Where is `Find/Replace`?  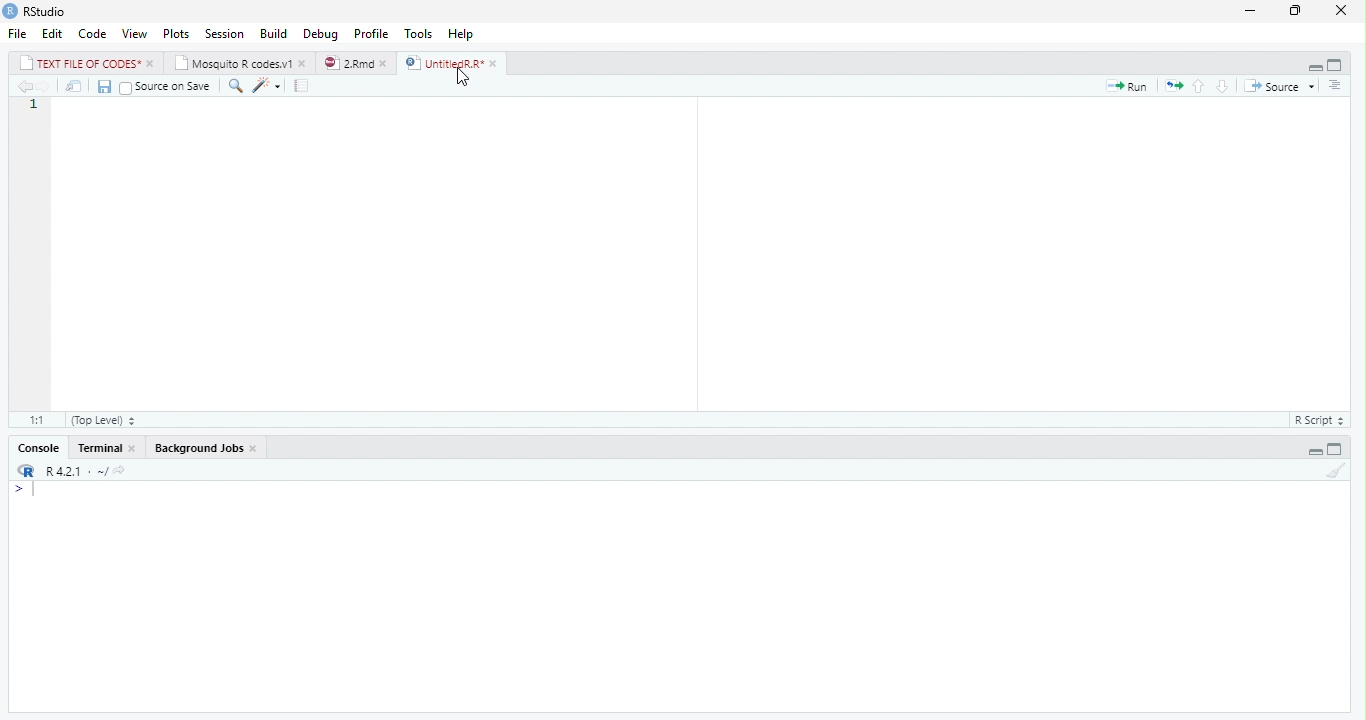
Find/Replace is located at coordinates (234, 86).